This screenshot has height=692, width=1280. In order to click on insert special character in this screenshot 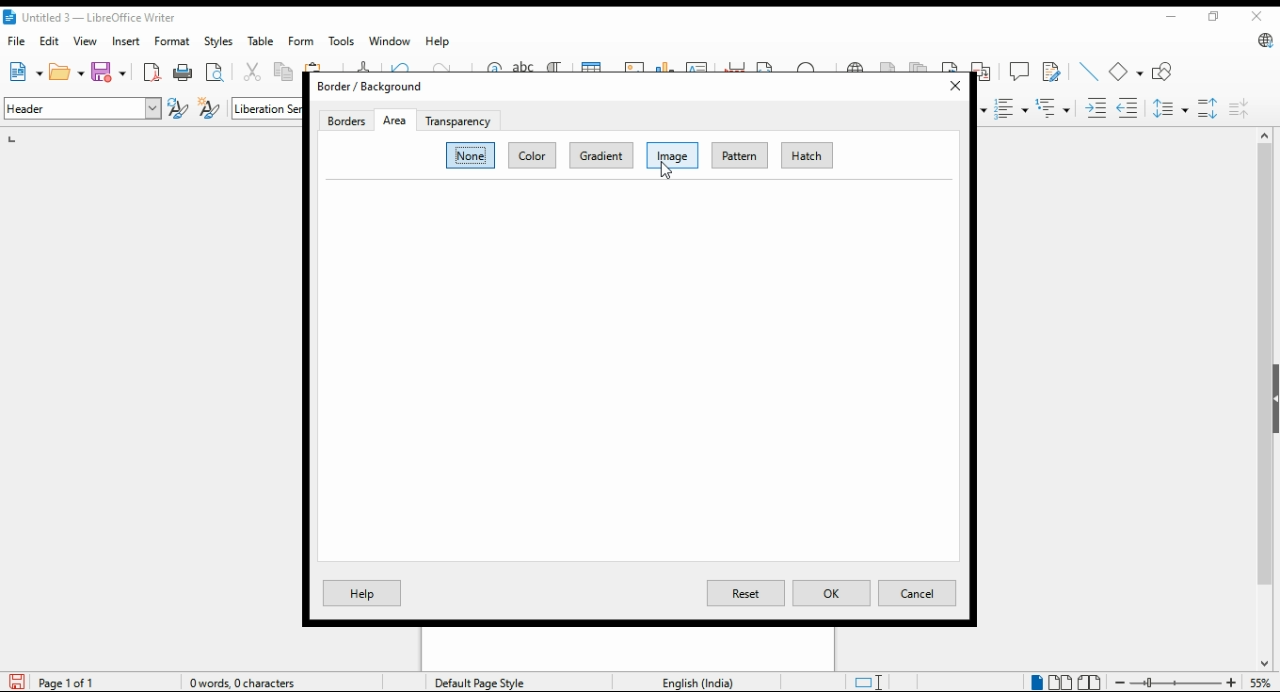, I will do `click(812, 66)`.